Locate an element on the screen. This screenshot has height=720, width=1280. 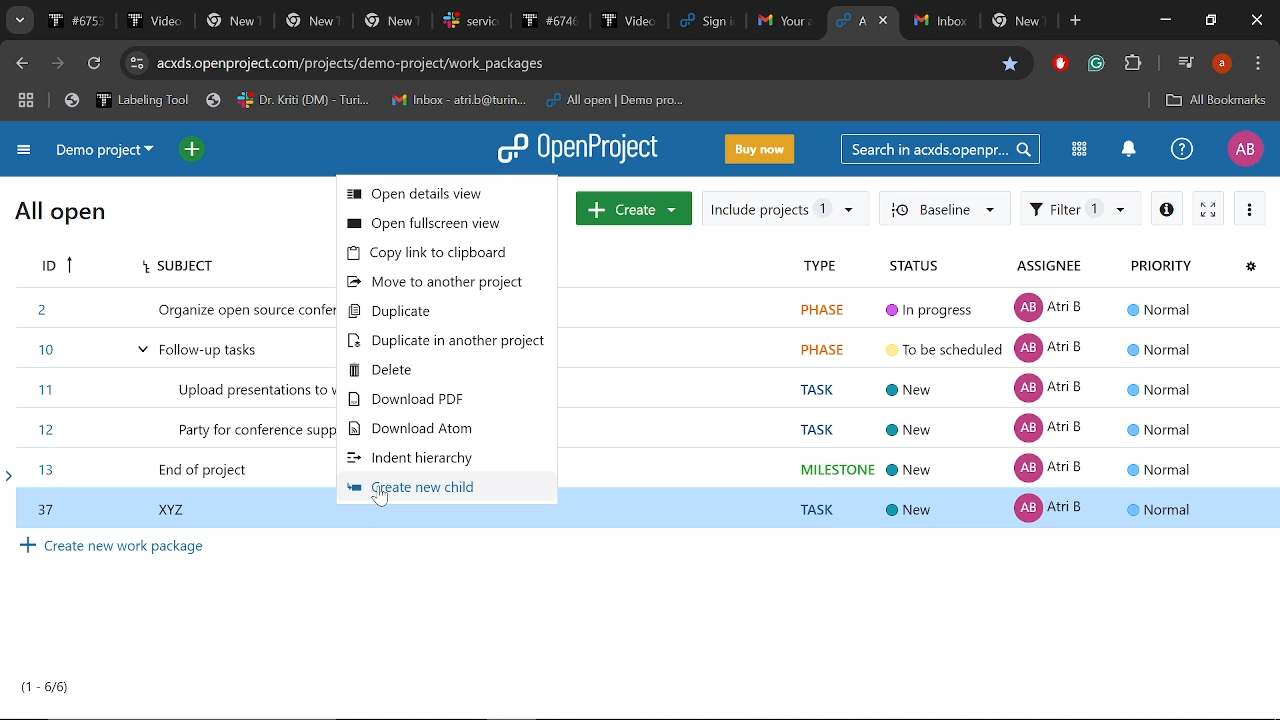
Duplicate is located at coordinates (449, 312).